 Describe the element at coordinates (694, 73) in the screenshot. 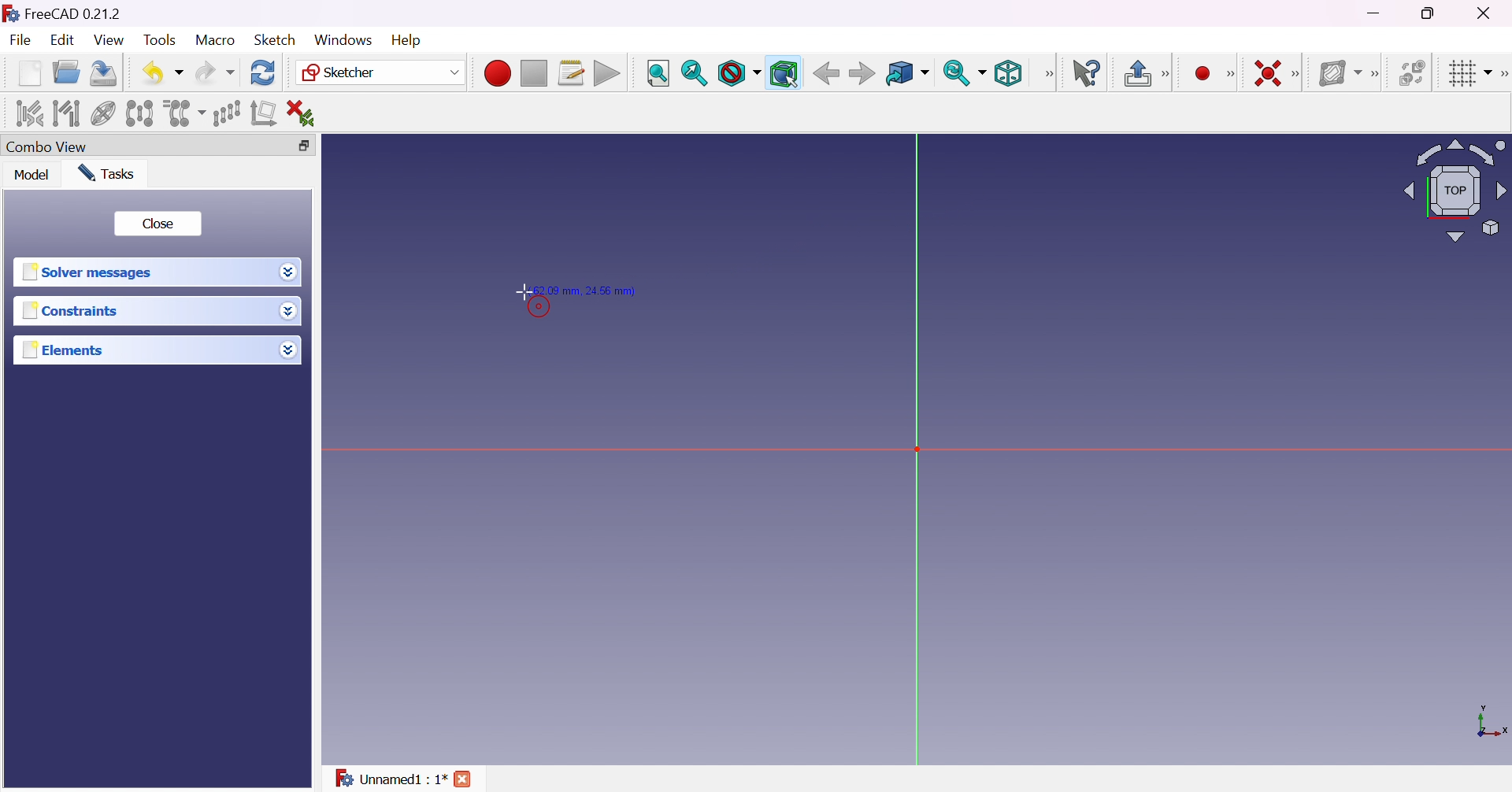

I see `Fit selection` at that location.